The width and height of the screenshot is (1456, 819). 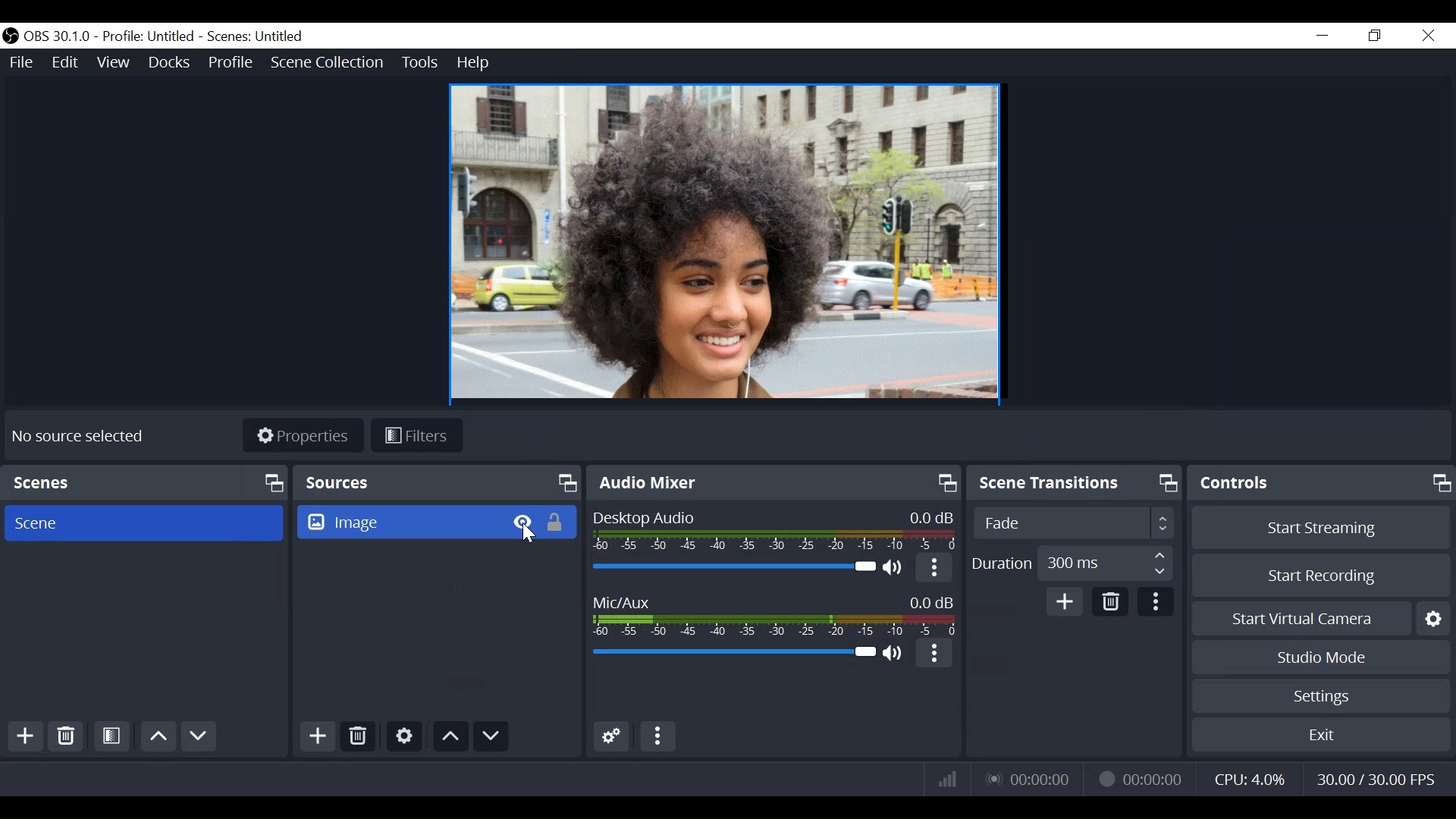 I want to click on Delete, so click(x=1112, y=600).